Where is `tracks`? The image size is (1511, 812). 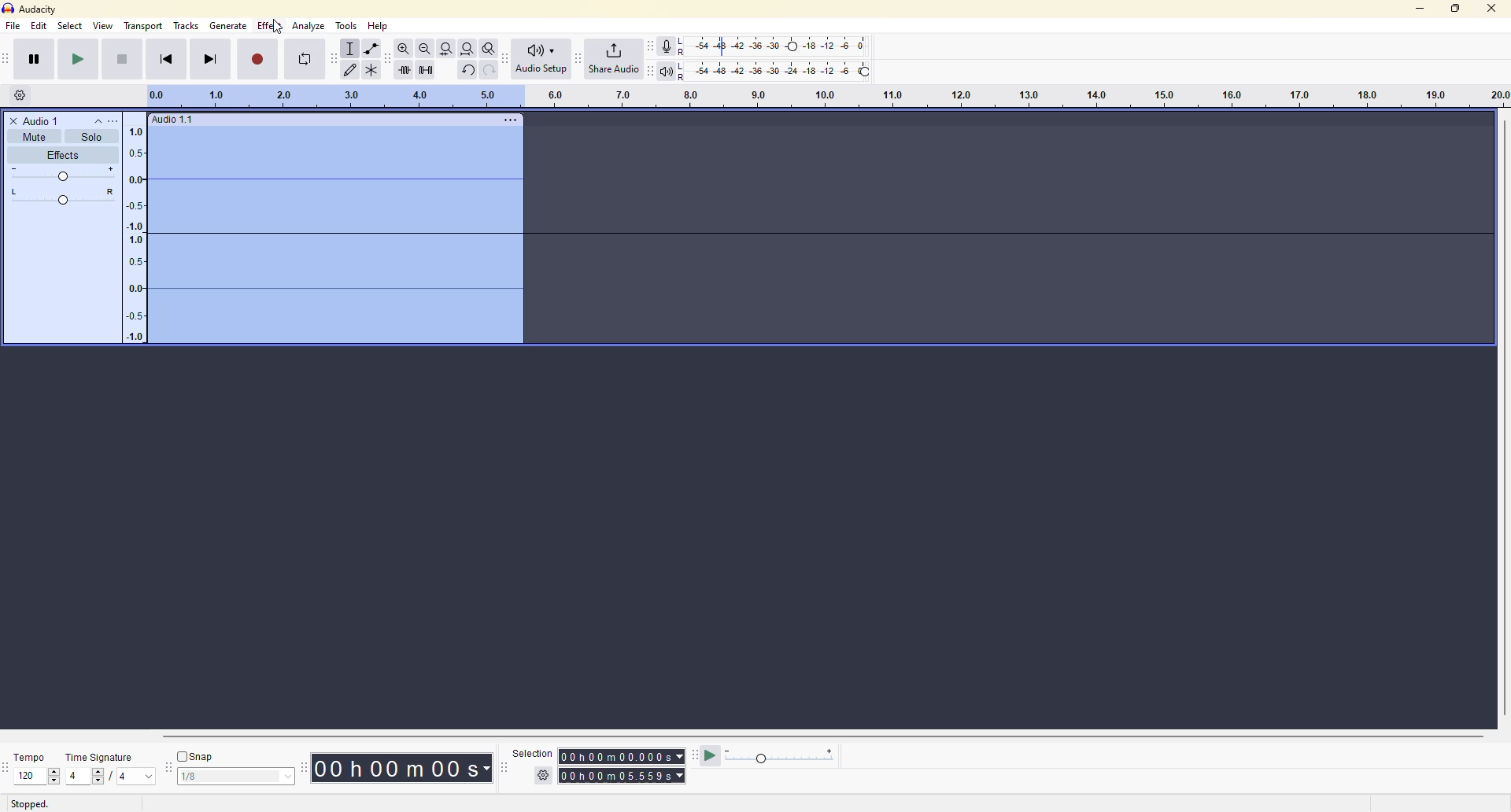
tracks is located at coordinates (187, 27).